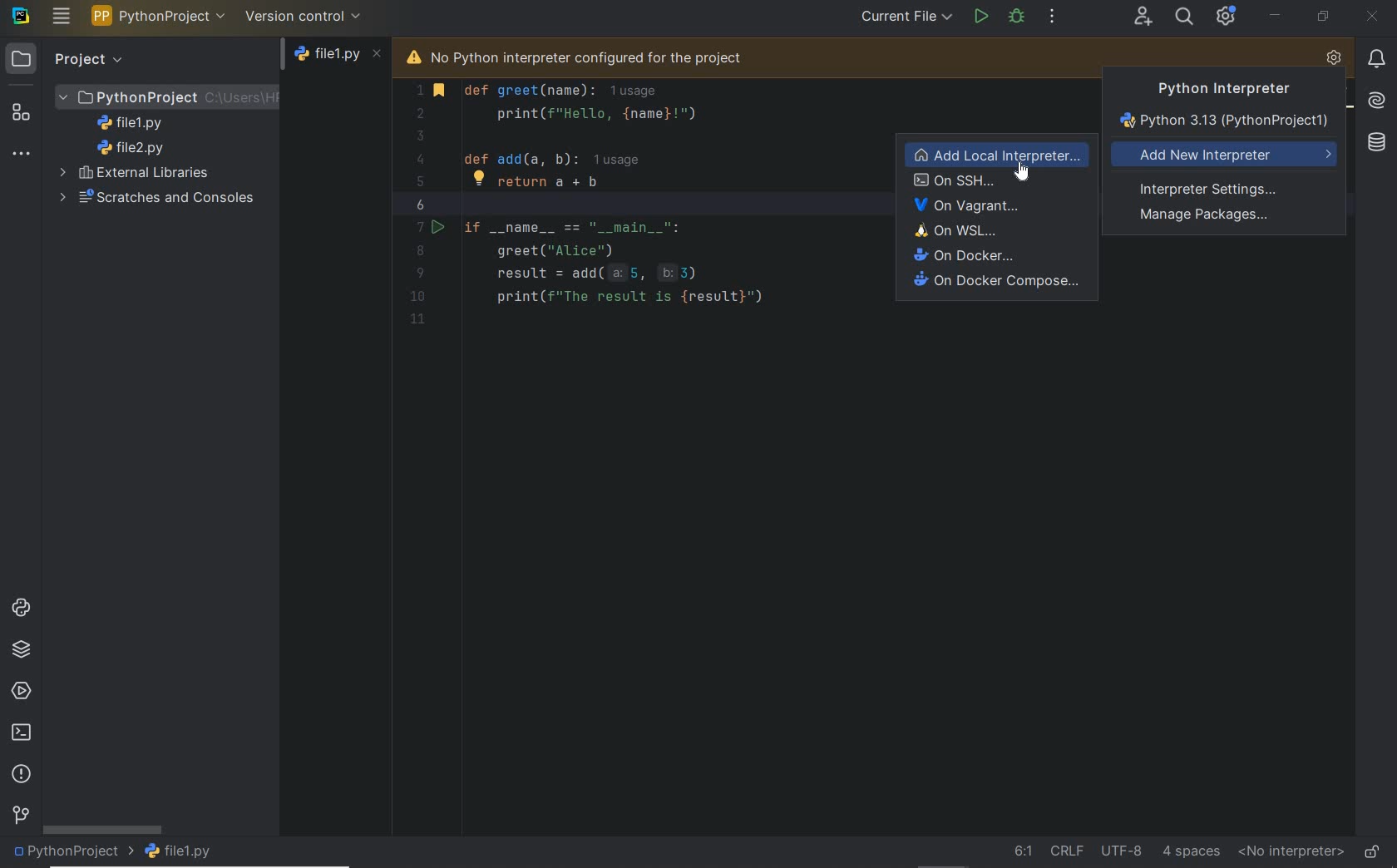  I want to click on file name 2, so click(131, 148).